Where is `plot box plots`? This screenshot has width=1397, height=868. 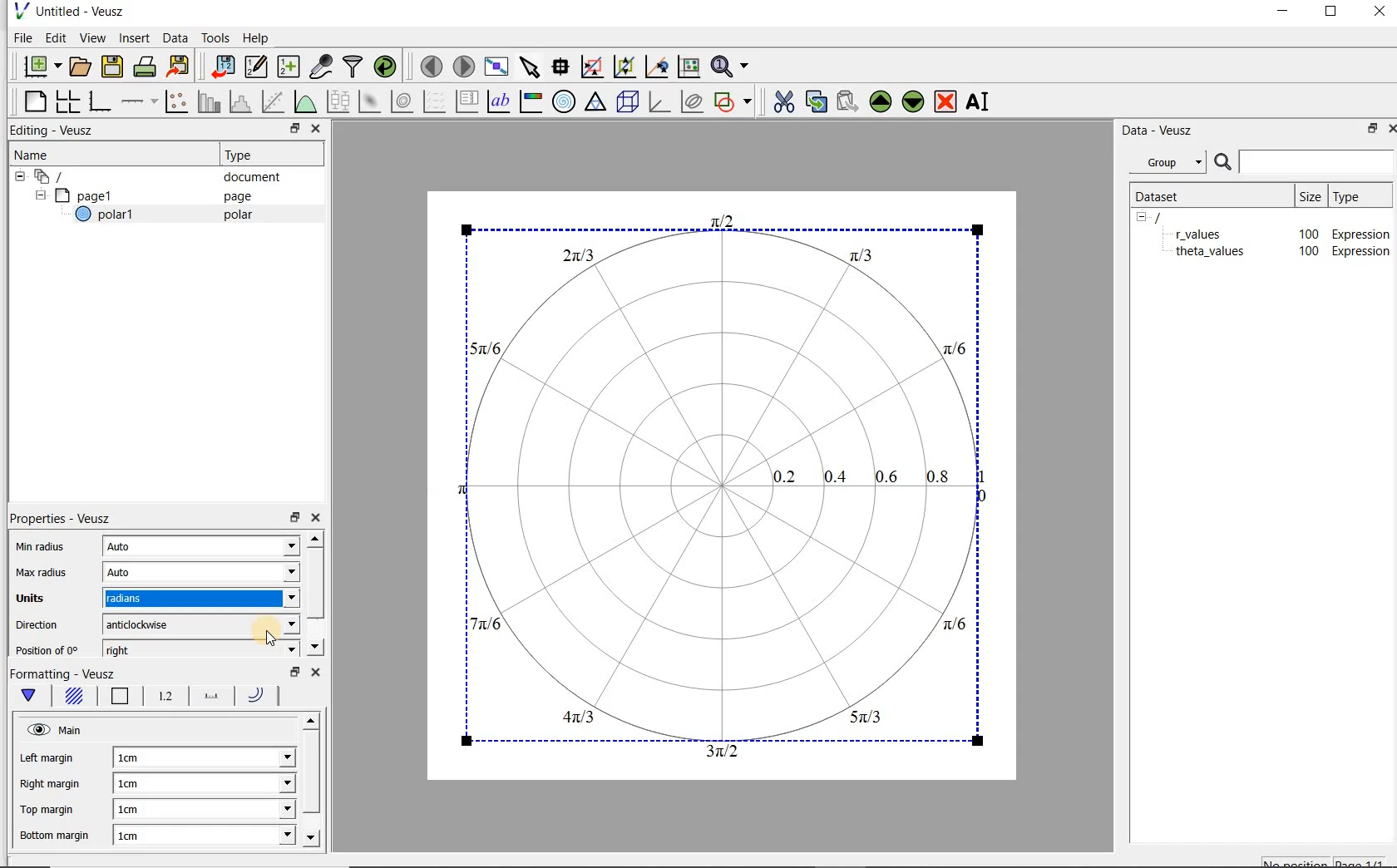
plot box plots is located at coordinates (338, 102).